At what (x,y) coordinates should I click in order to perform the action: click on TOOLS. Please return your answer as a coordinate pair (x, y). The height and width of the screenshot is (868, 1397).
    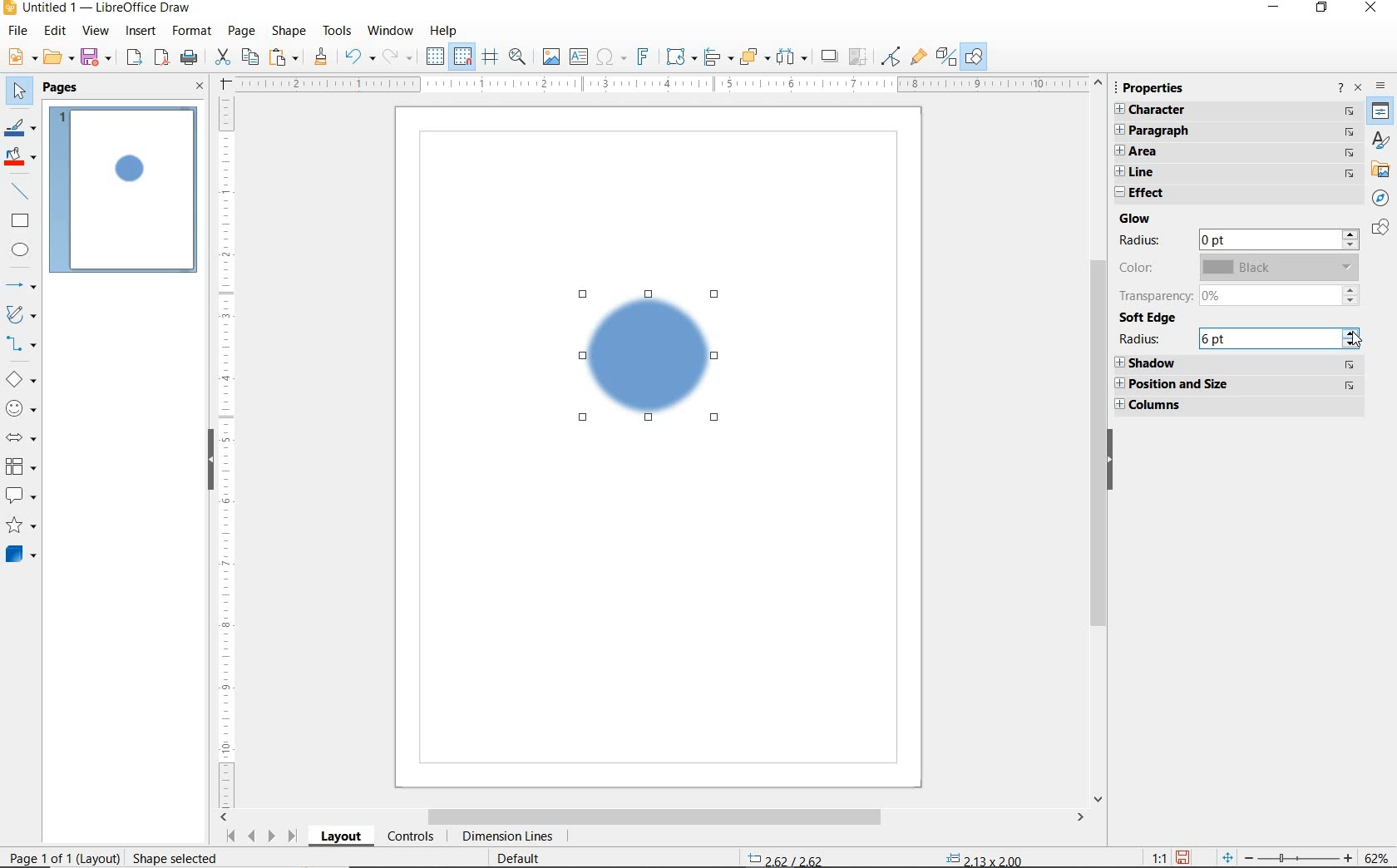
    Looking at the image, I should click on (338, 32).